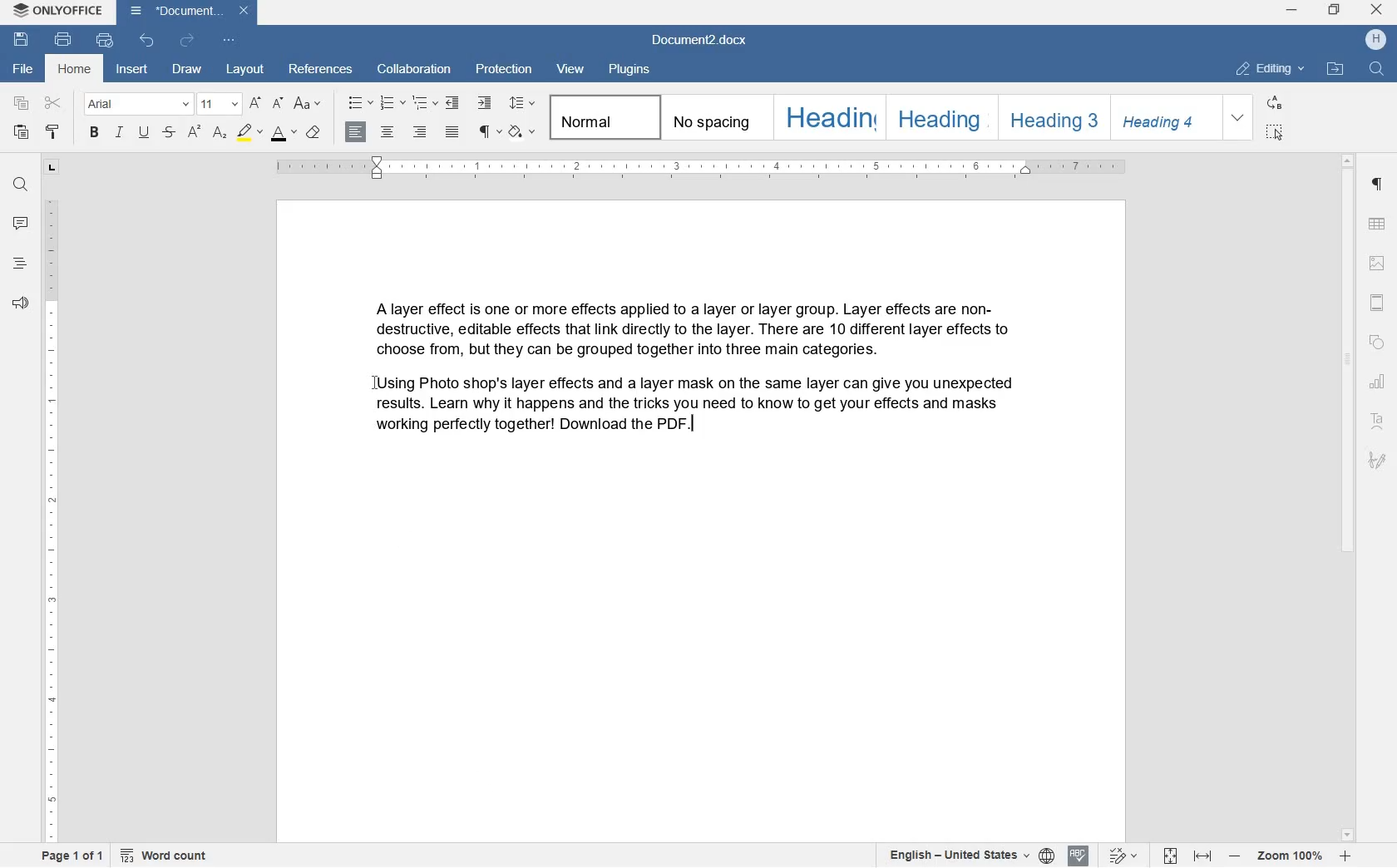  What do you see at coordinates (135, 104) in the screenshot?
I see `FONT NAME` at bounding box center [135, 104].